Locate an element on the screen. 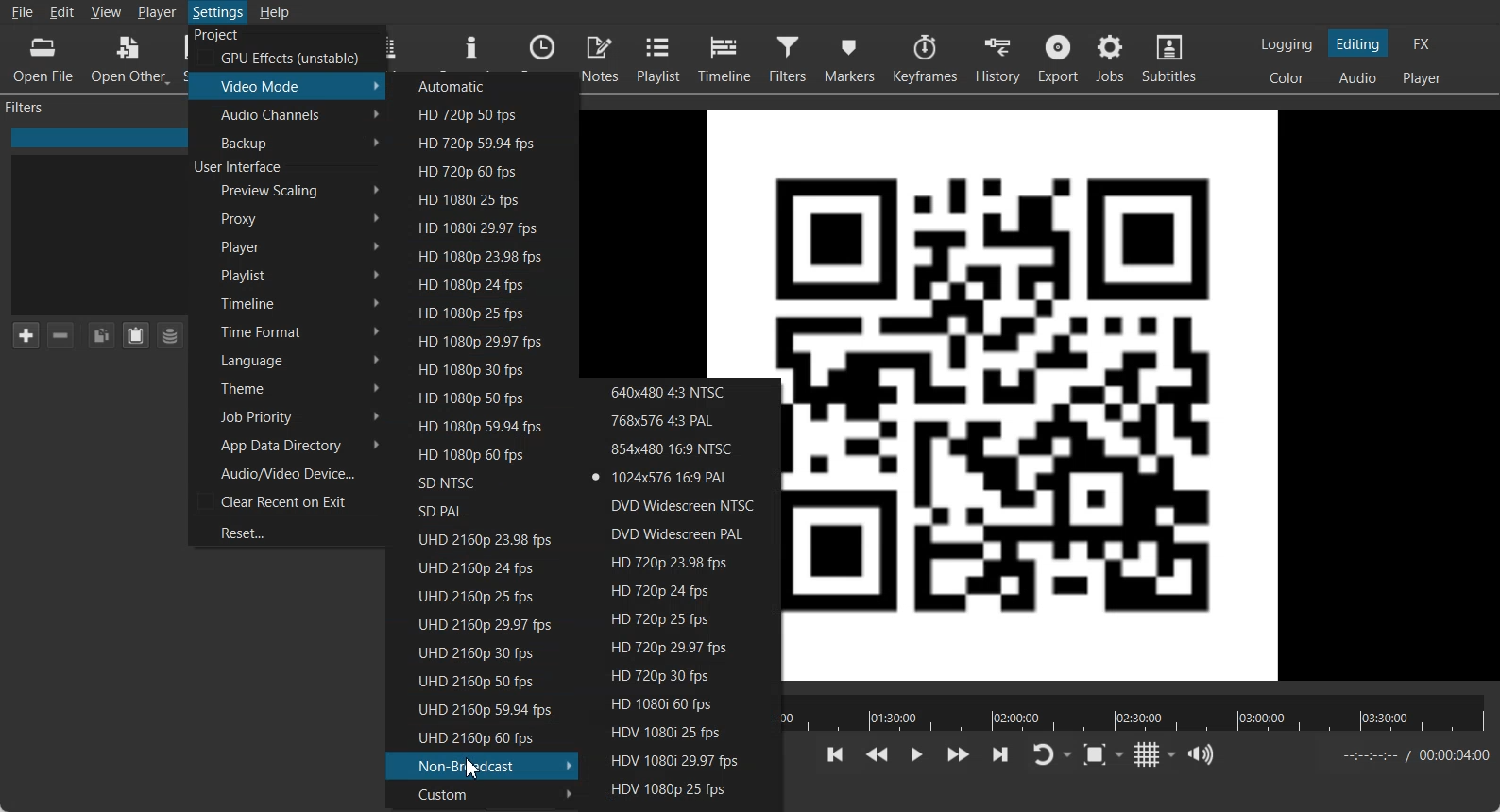  Open File is located at coordinates (45, 59).